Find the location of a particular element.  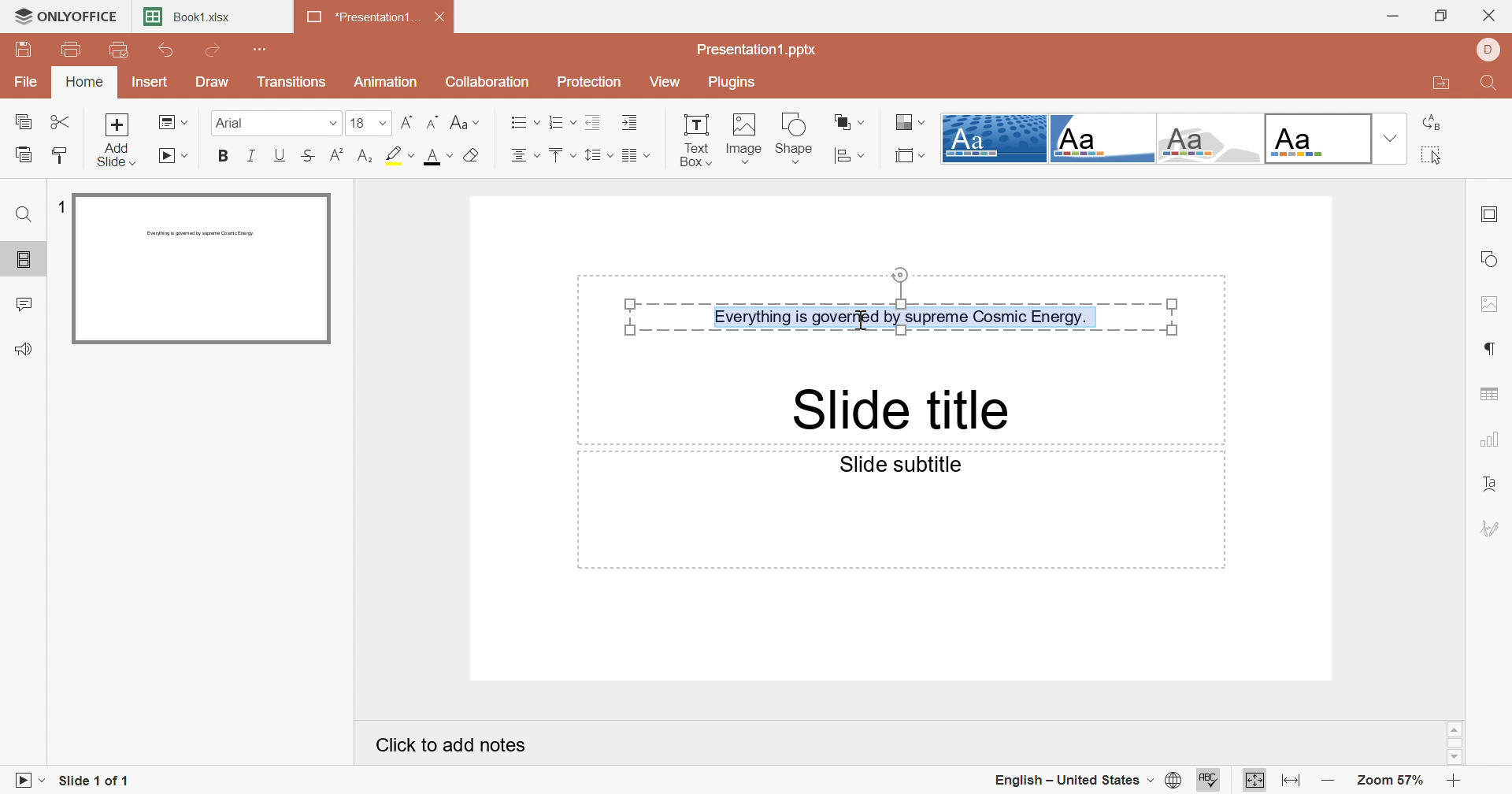

Book1.xlsx is located at coordinates (187, 17).